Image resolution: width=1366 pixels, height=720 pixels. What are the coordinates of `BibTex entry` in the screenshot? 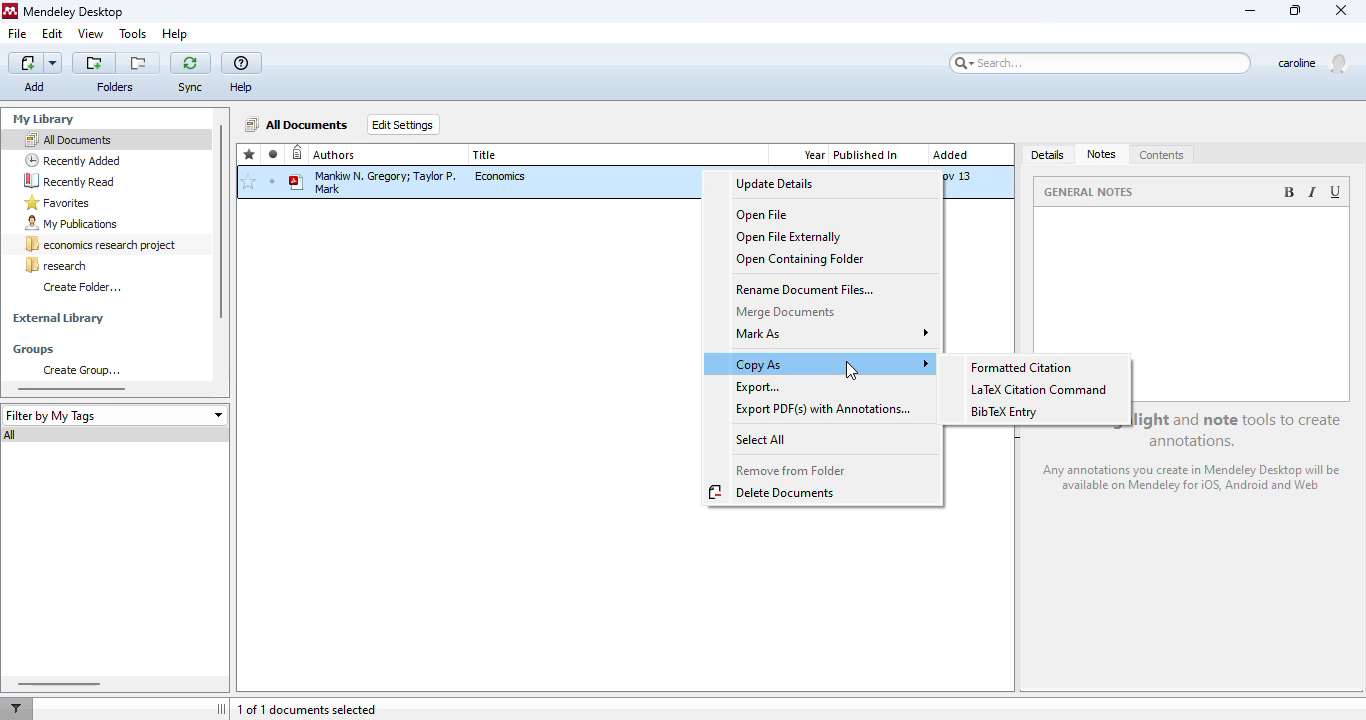 It's located at (1003, 412).